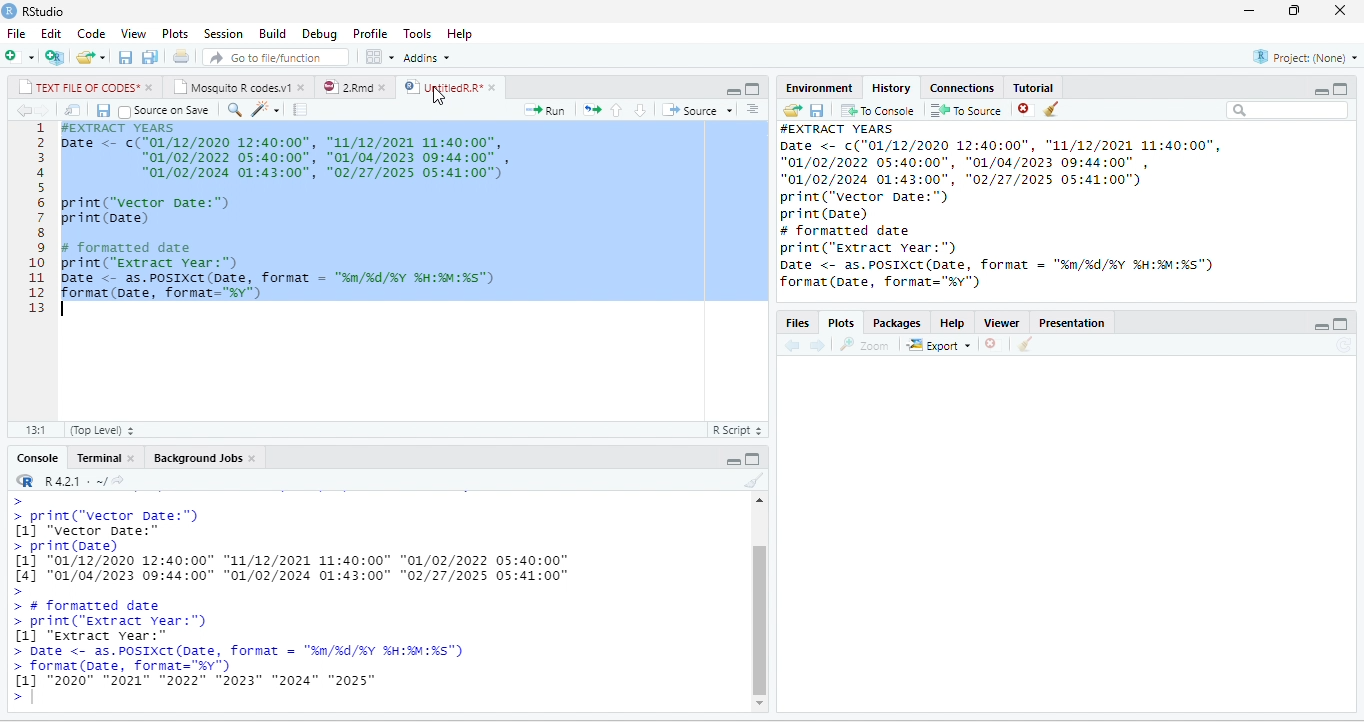 The image size is (1364, 722). What do you see at coordinates (180, 56) in the screenshot?
I see `print` at bounding box center [180, 56].